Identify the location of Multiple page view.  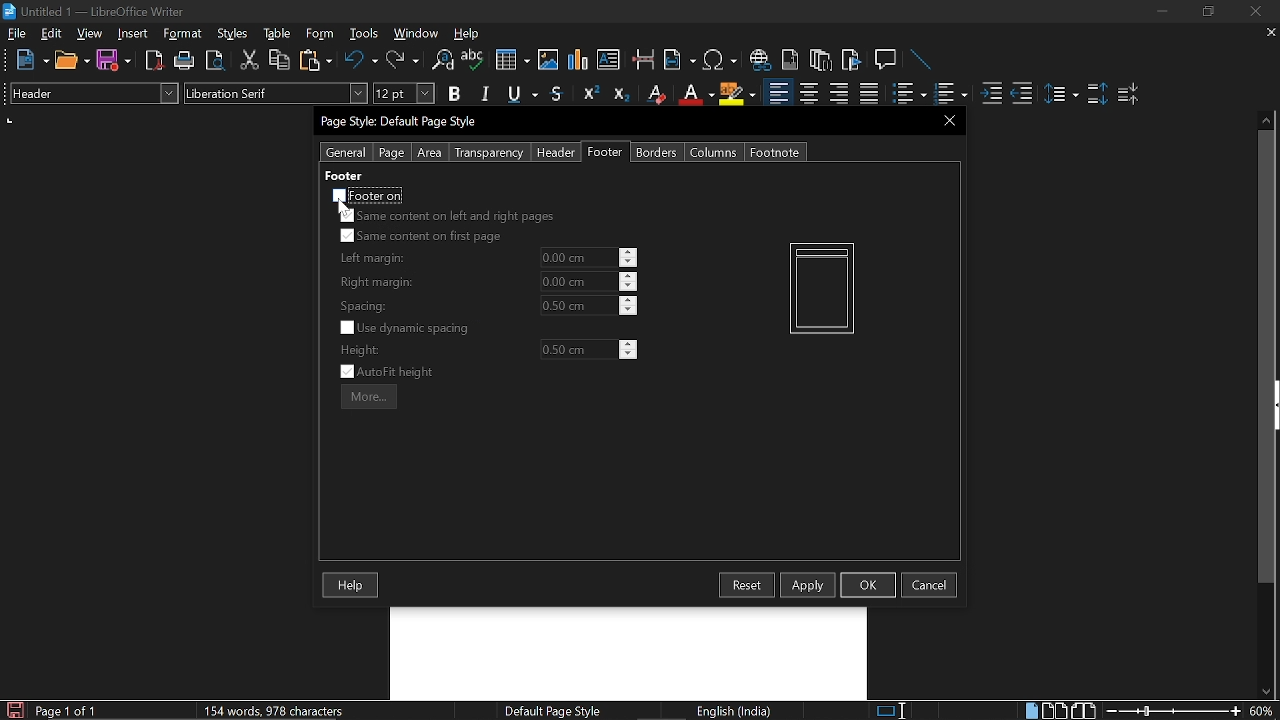
(1054, 711).